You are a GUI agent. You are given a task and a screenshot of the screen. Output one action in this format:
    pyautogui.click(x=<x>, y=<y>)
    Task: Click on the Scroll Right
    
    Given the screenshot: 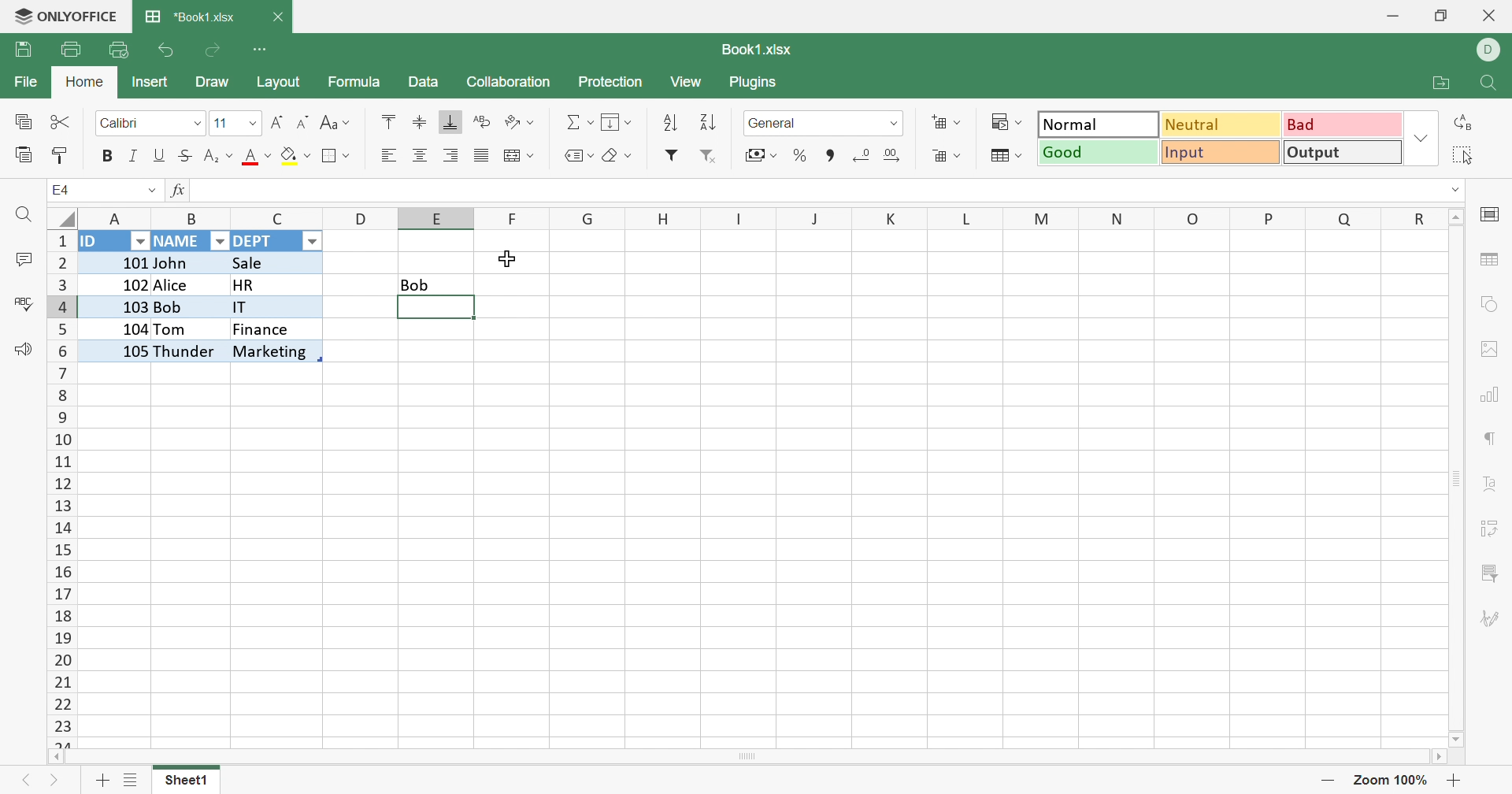 What is the action you would take?
    pyautogui.click(x=1436, y=756)
    